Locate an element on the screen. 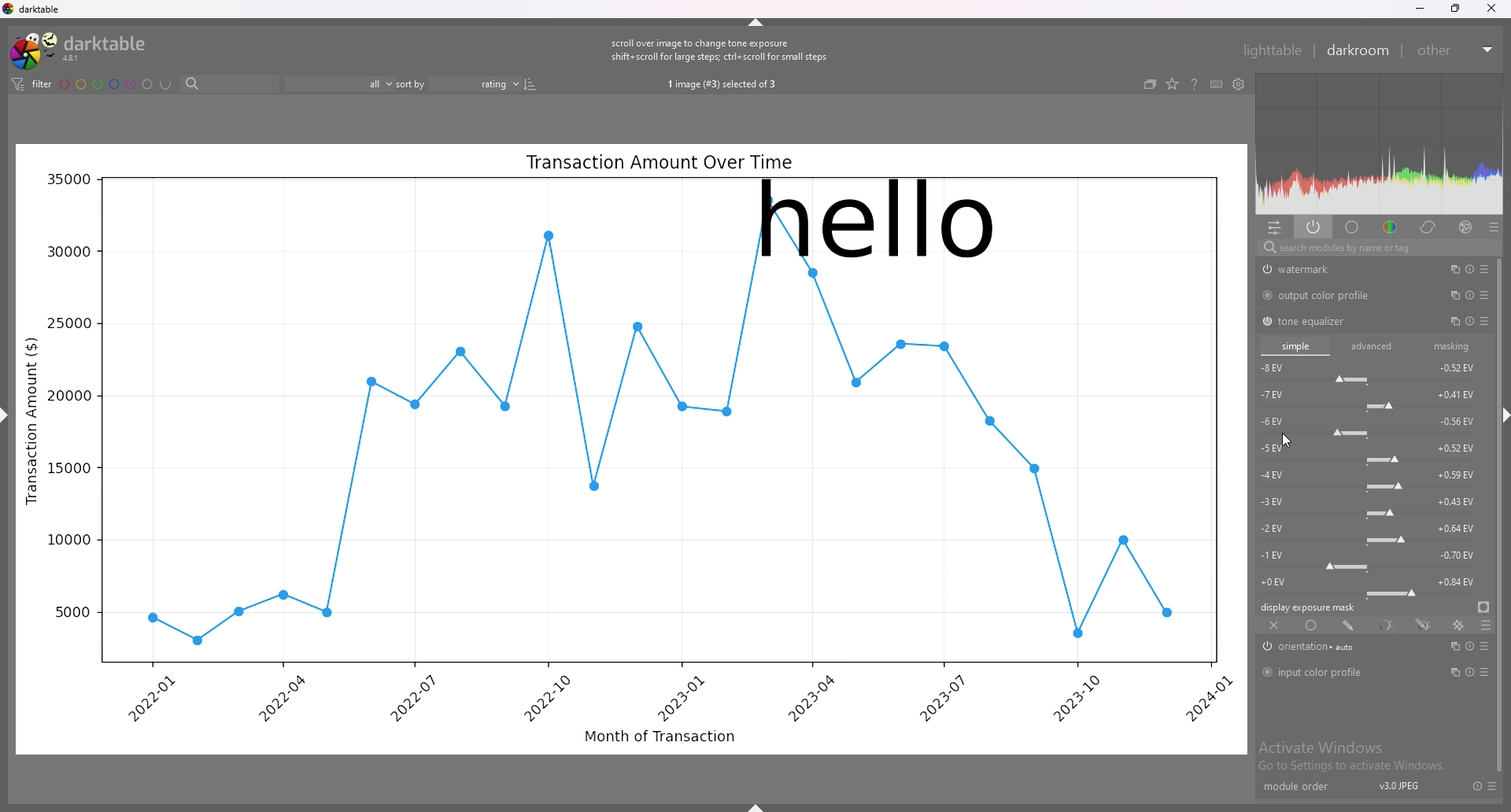  multiple instance actions, reset and presets is located at coordinates (1470, 297).